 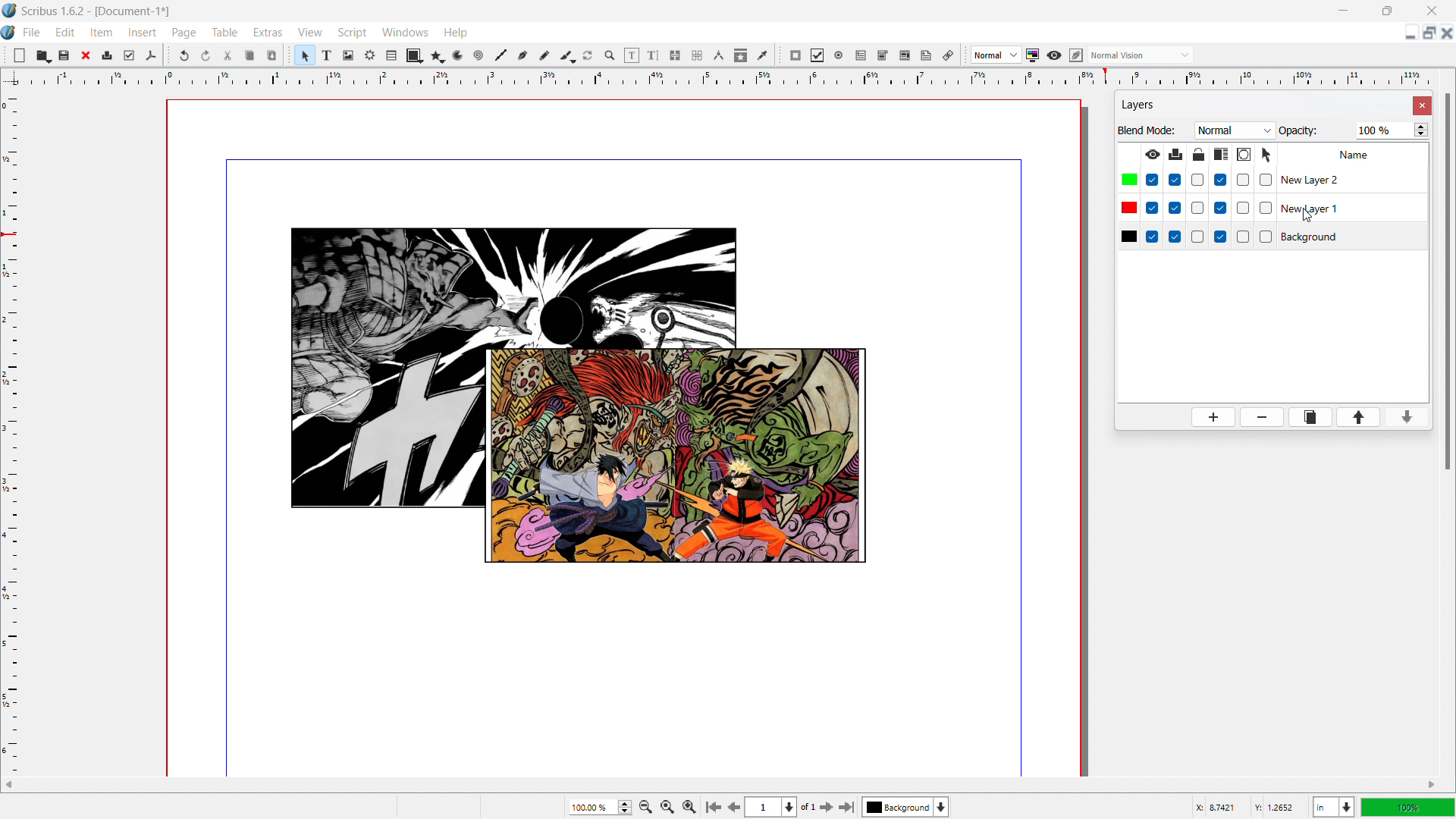 What do you see at coordinates (1385, 10) in the screenshot?
I see `maximize window` at bounding box center [1385, 10].